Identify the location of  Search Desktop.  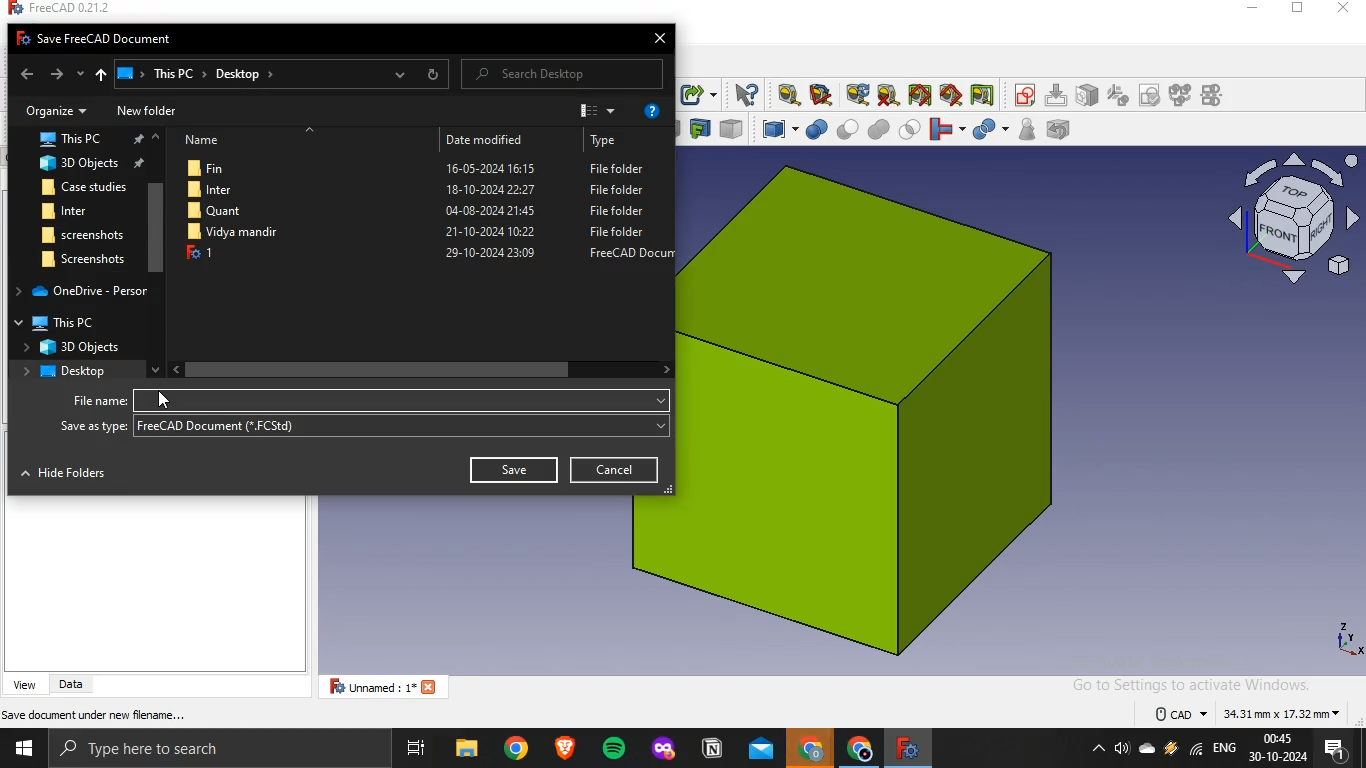
(565, 74).